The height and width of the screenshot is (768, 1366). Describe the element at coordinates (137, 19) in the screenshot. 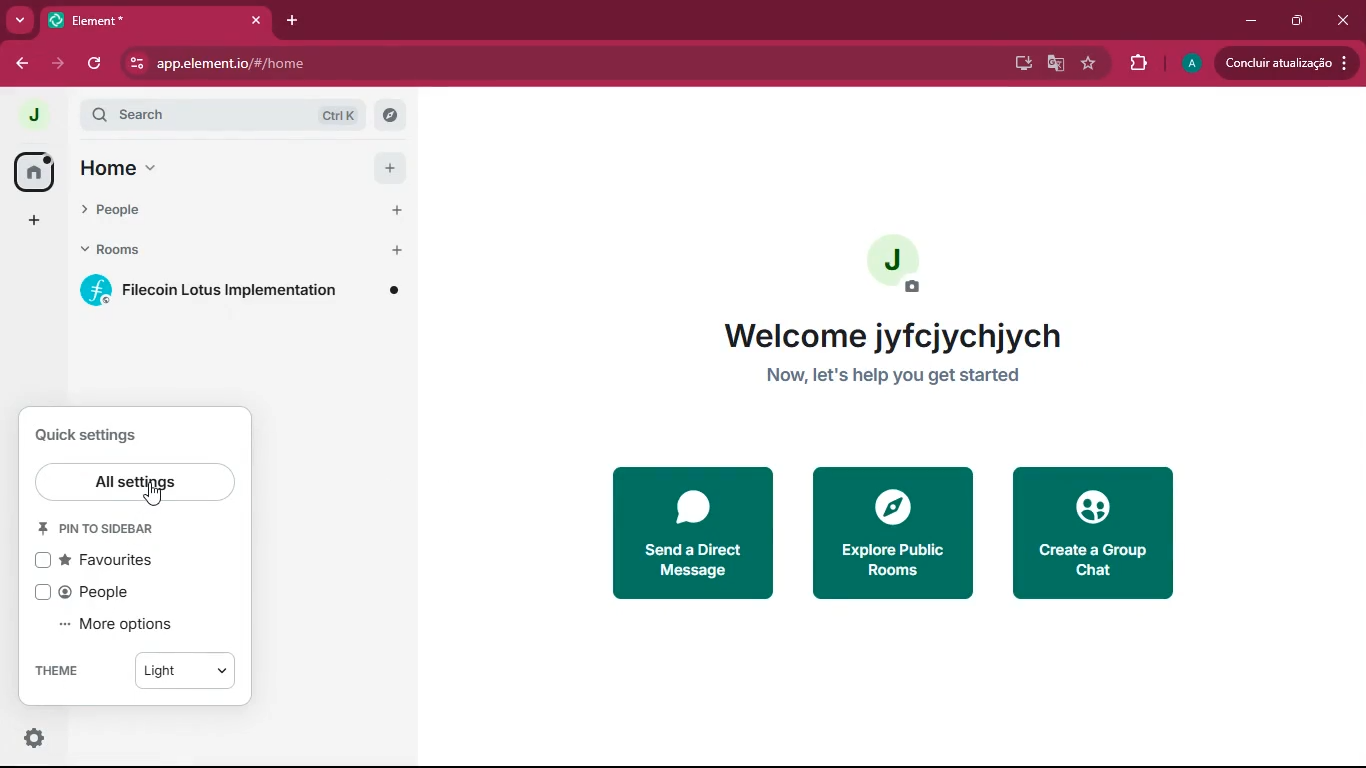

I see `Element*` at that location.